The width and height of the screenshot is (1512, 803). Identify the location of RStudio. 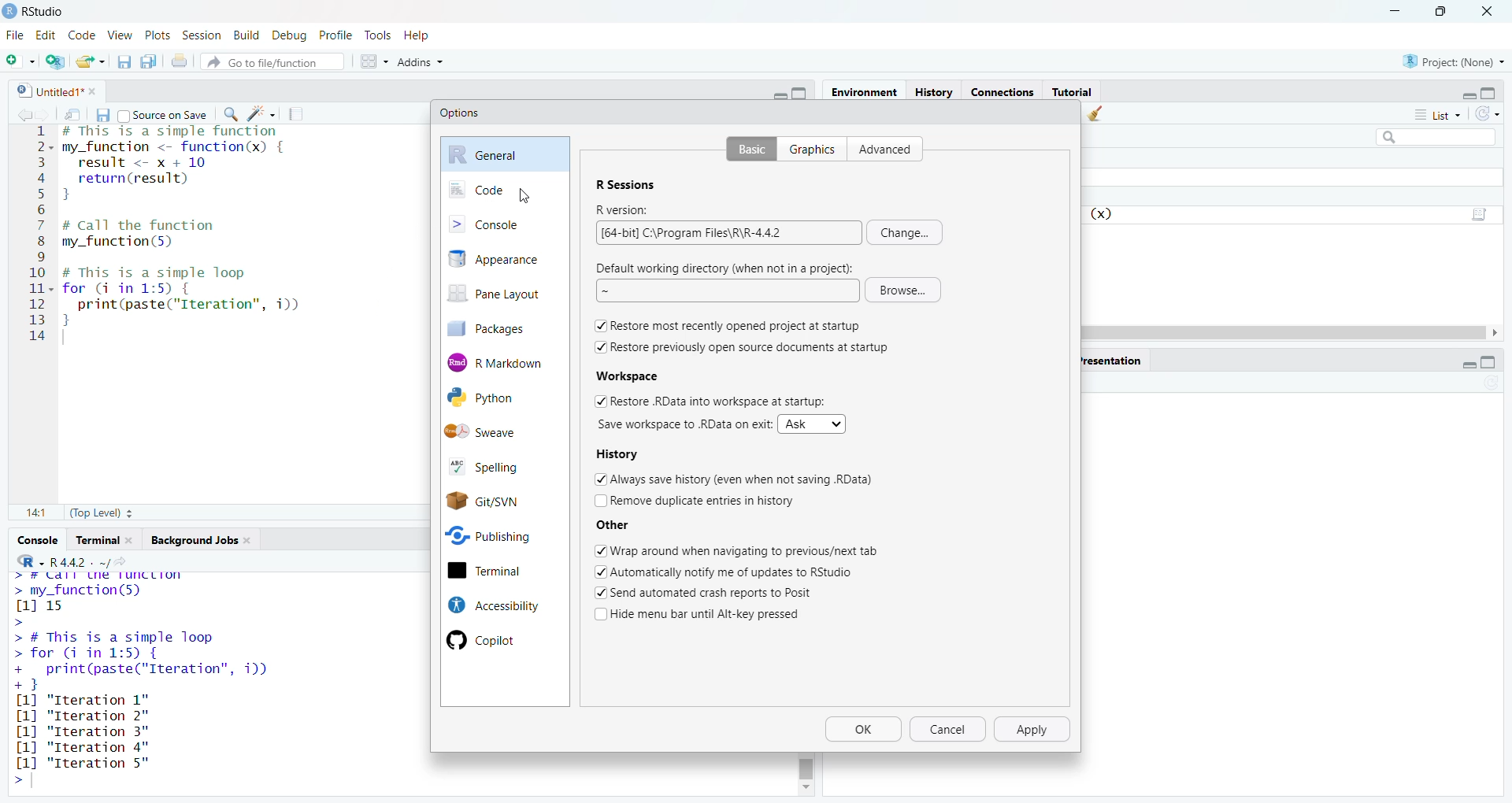
(51, 9).